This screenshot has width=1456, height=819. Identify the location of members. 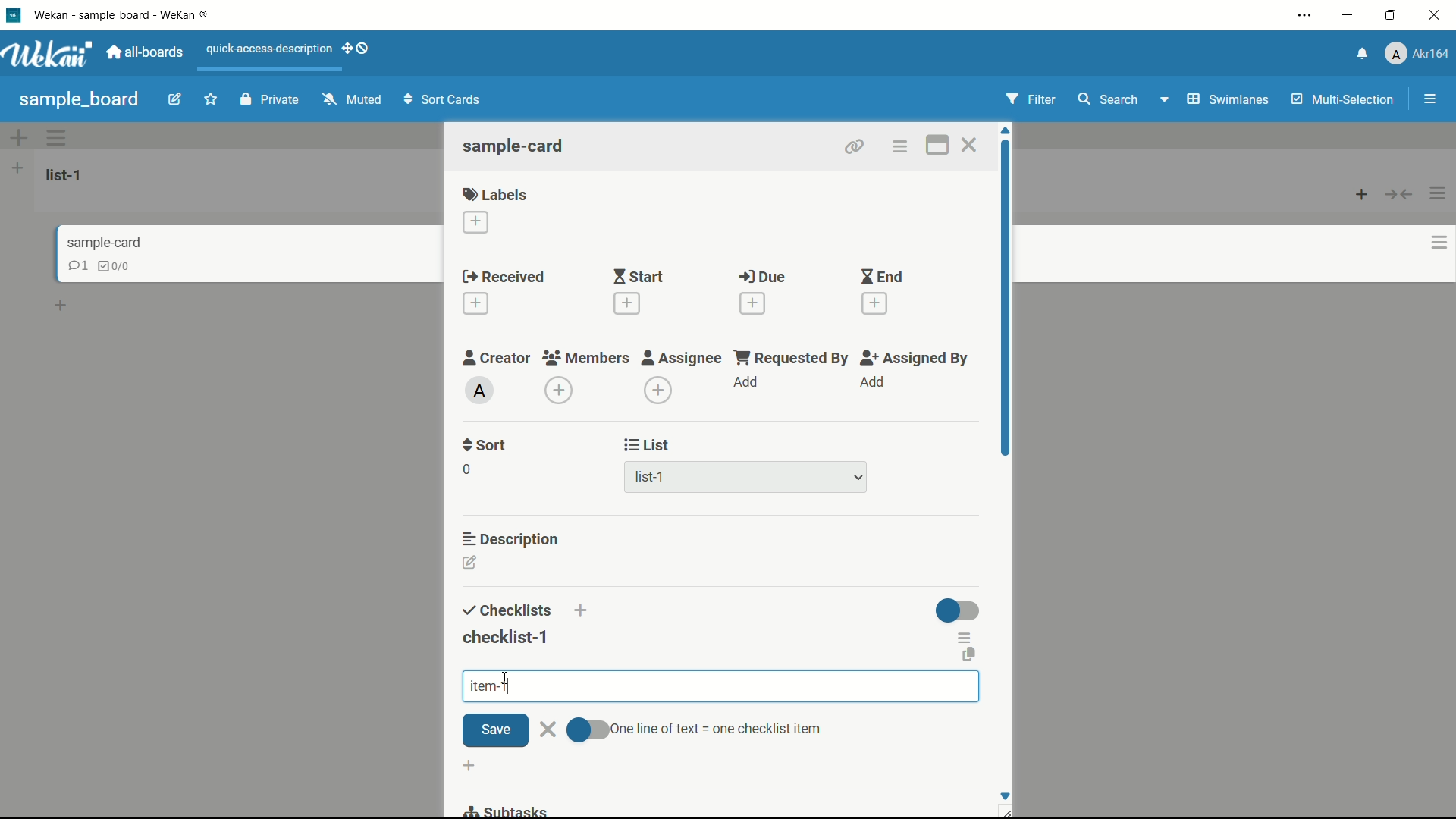
(588, 359).